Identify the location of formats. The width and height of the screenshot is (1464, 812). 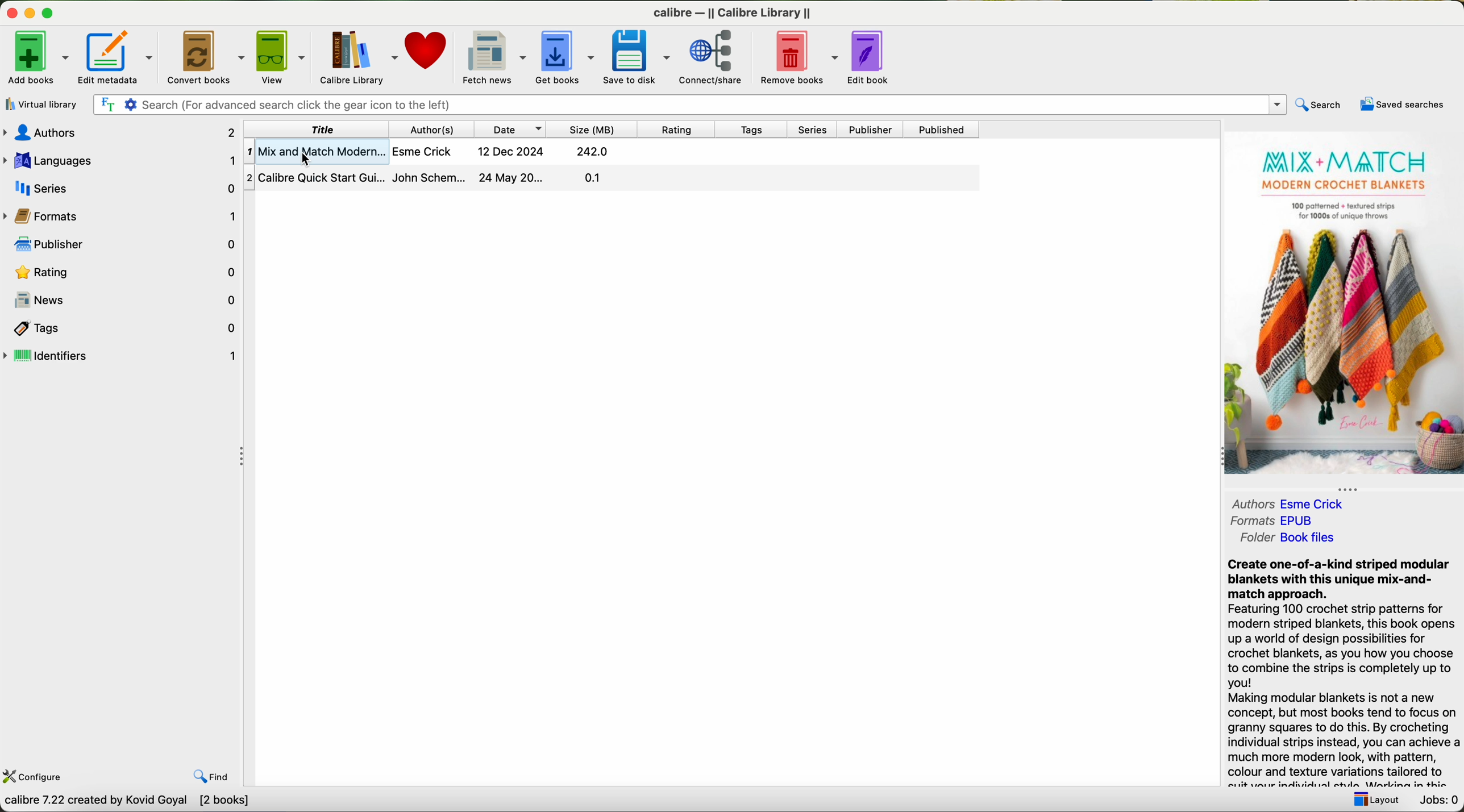
(121, 217).